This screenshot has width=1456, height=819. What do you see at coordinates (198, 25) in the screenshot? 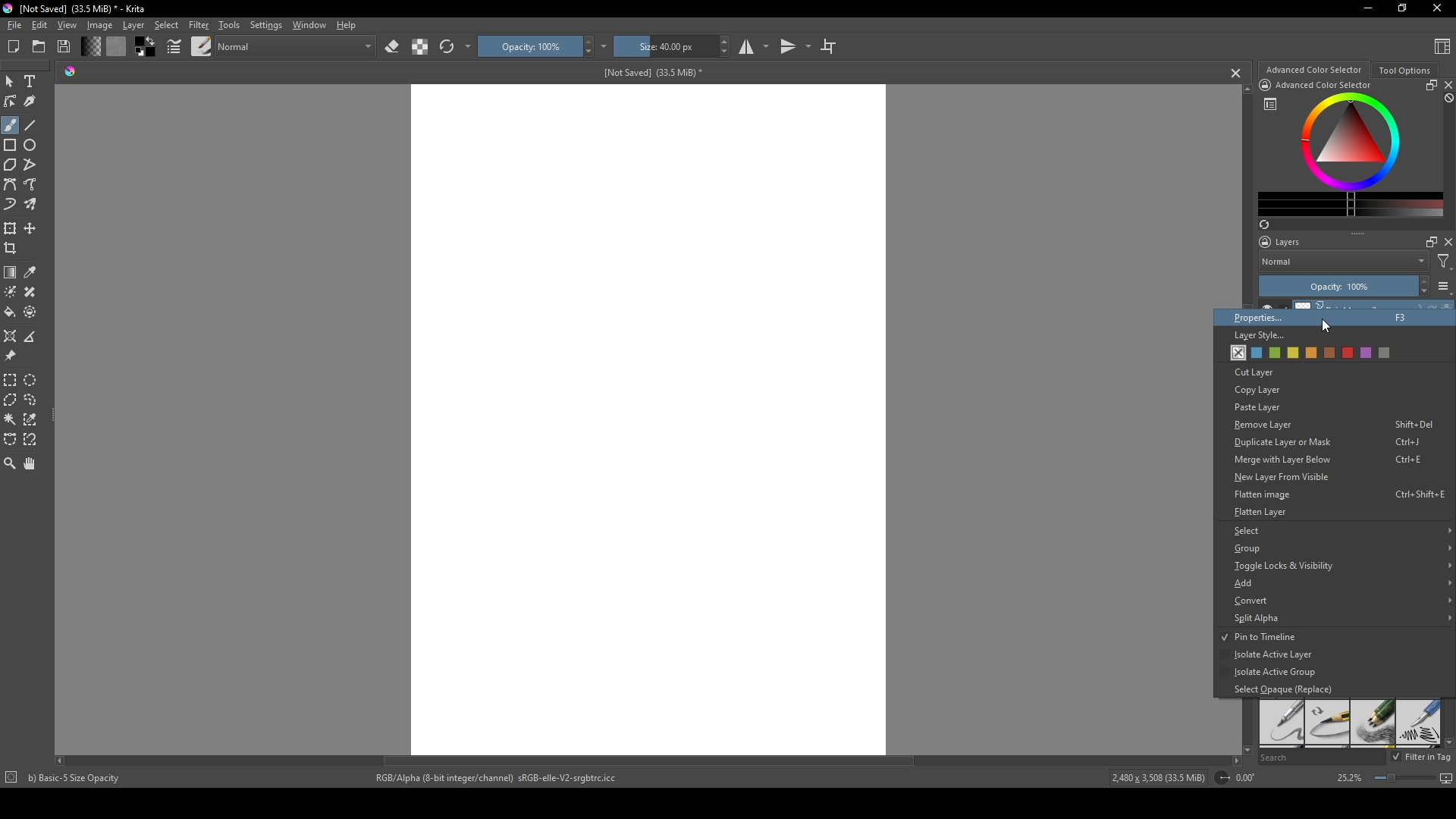
I see `Filter` at bounding box center [198, 25].